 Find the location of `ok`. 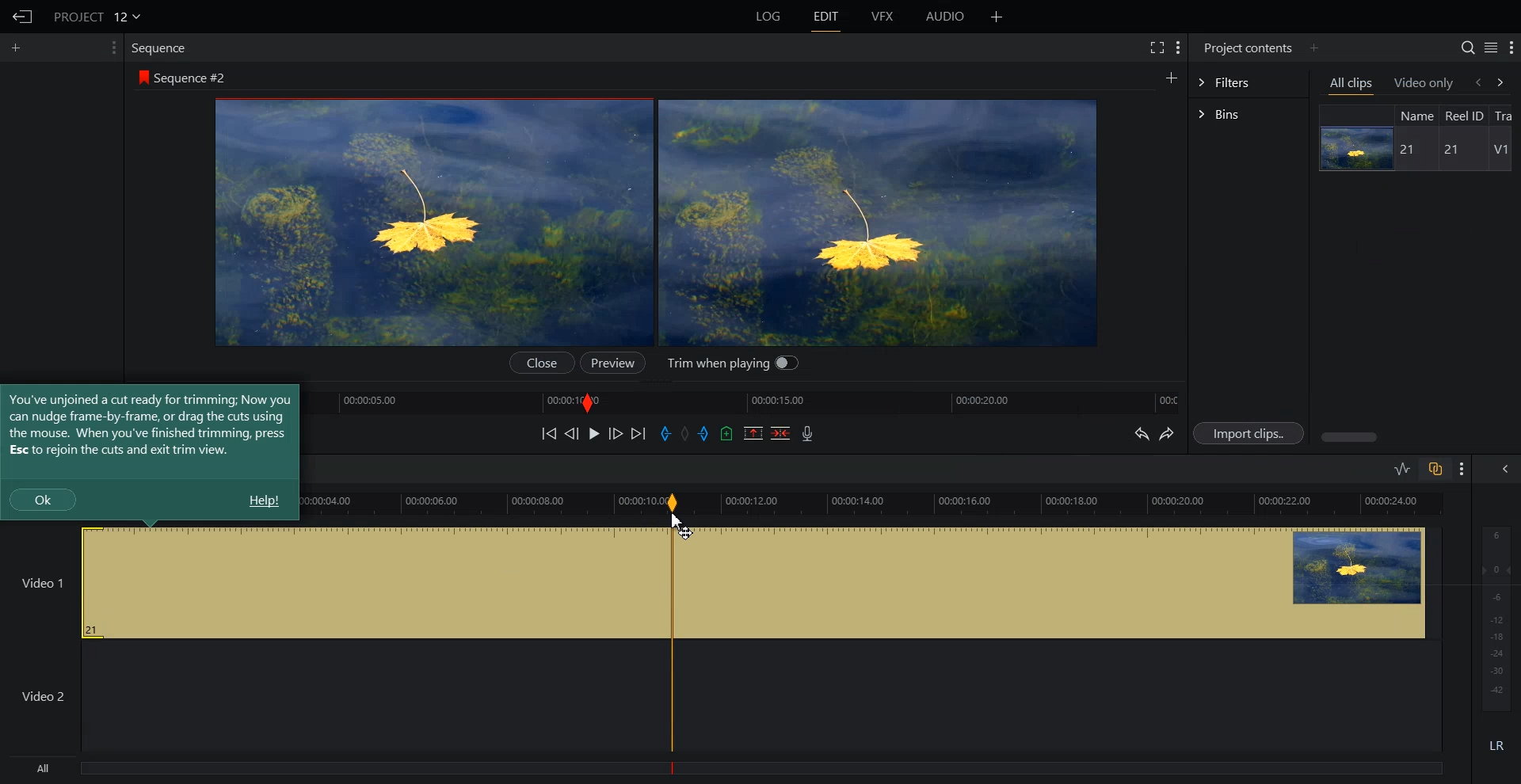

ok is located at coordinates (43, 499).